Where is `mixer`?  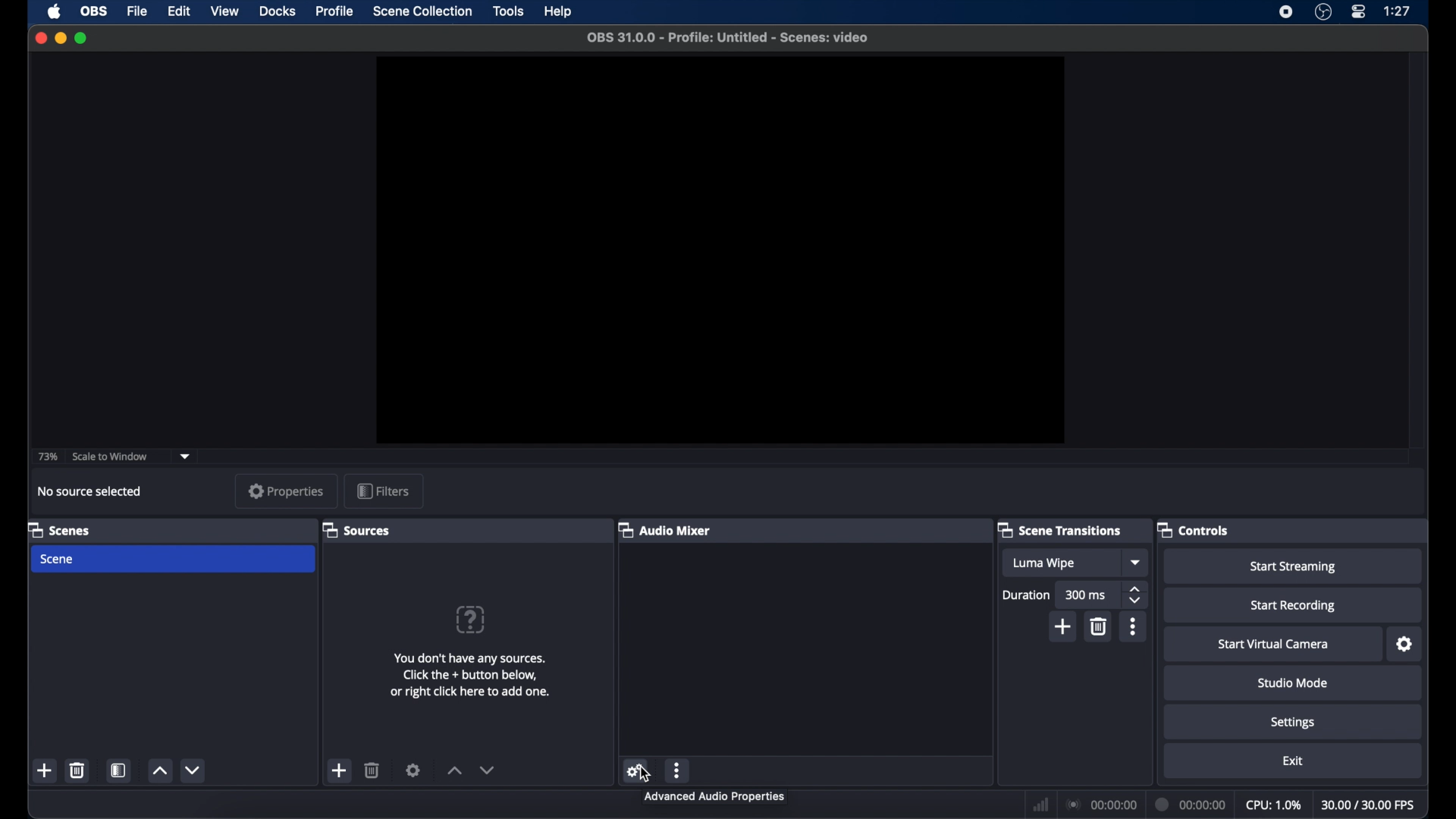 mixer is located at coordinates (666, 529).